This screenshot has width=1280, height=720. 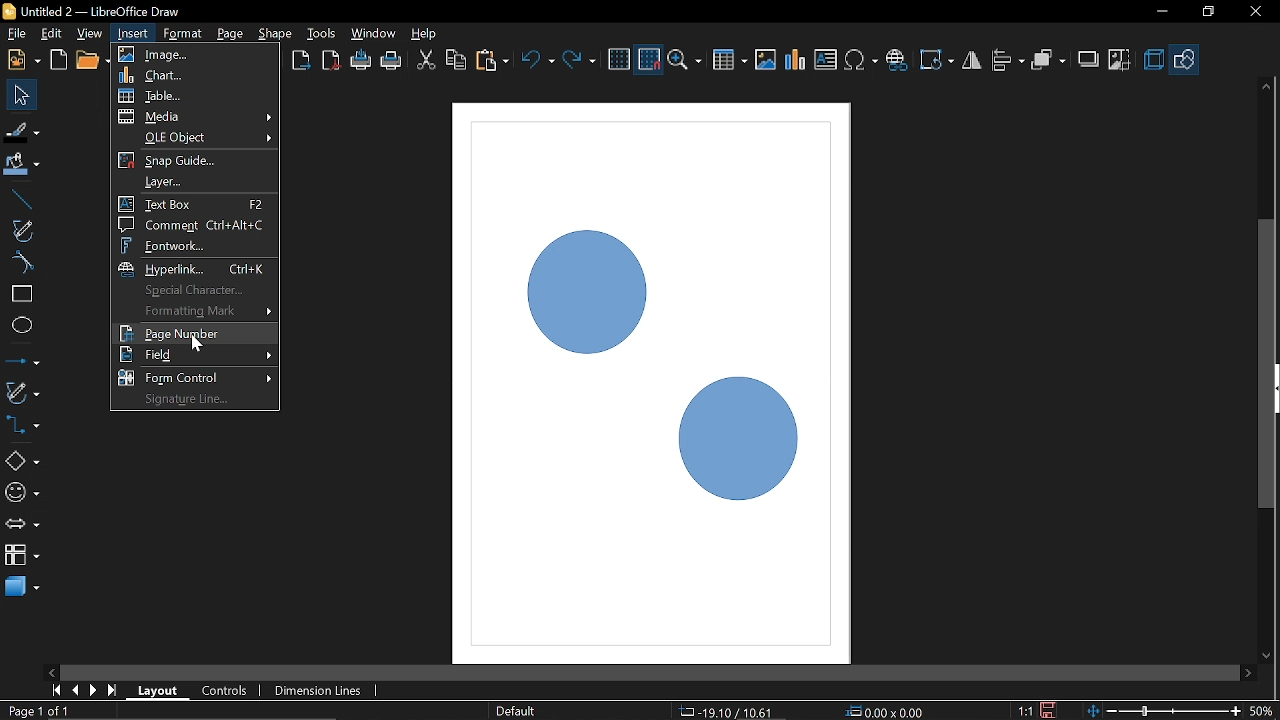 What do you see at coordinates (826, 60) in the screenshot?
I see `Text` at bounding box center [826, 60].